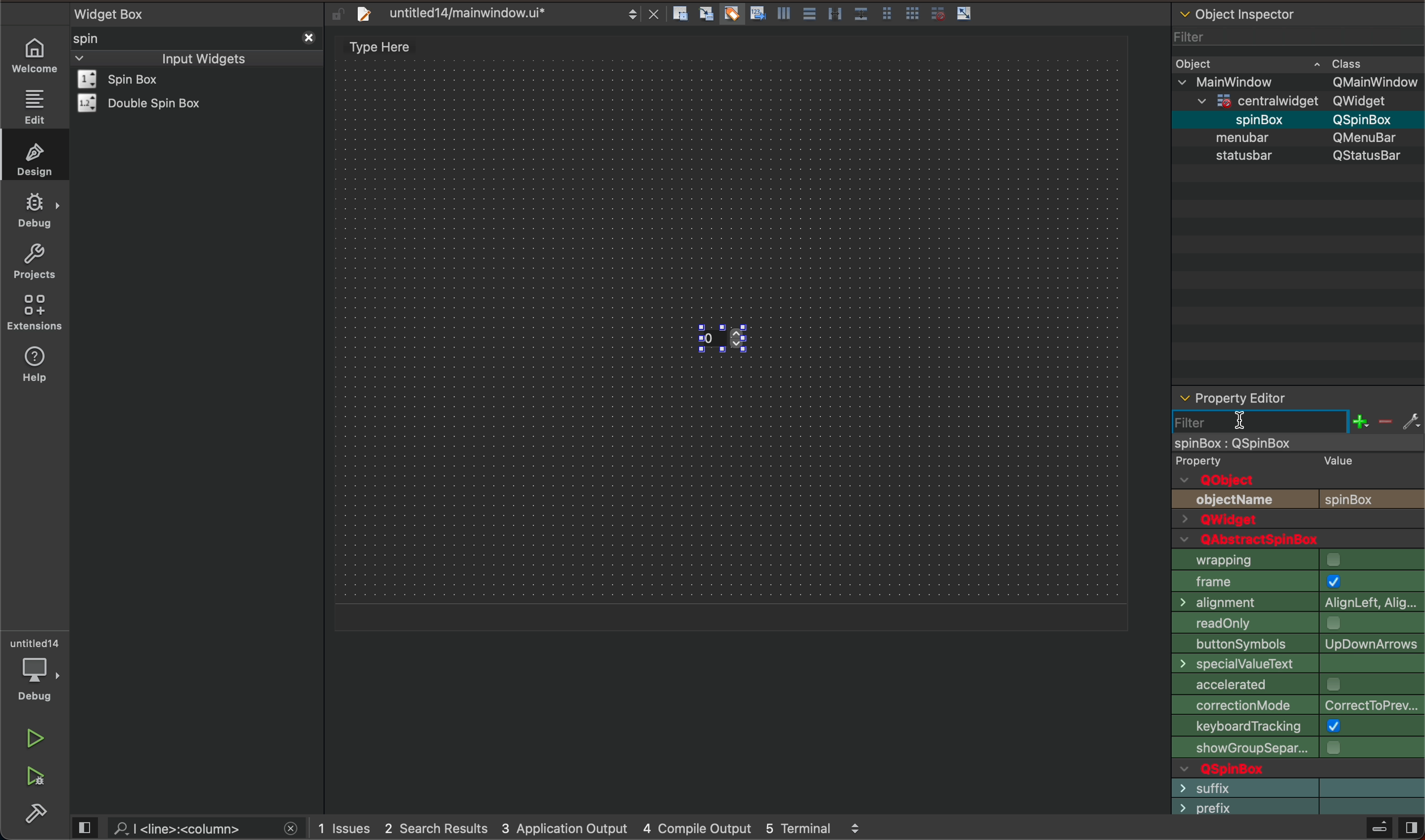 The width and height of the screenshot is (1425, 840). I want to click on search, so click(191, 828).